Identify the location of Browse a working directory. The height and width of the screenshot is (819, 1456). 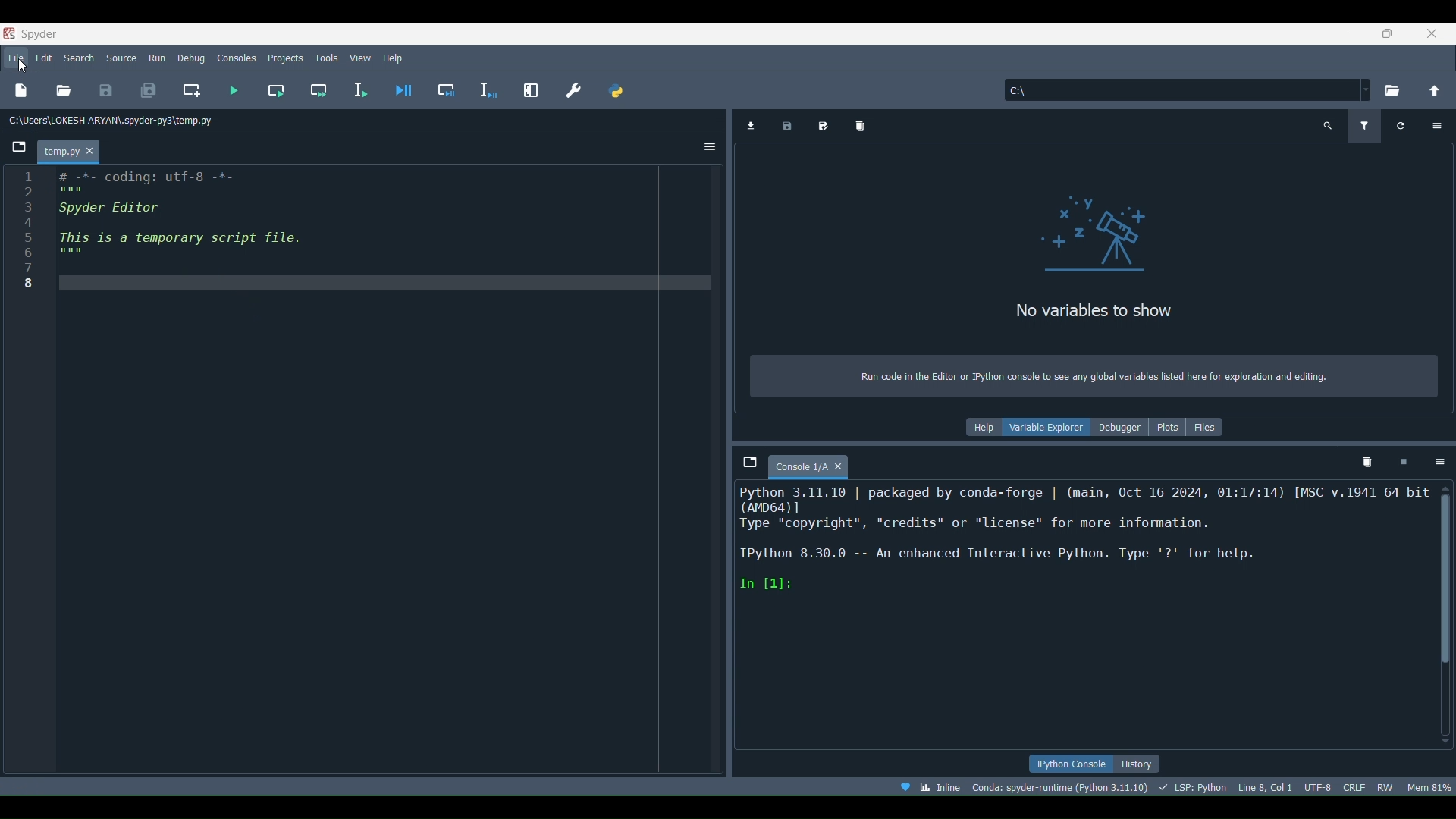
(1393, 91).